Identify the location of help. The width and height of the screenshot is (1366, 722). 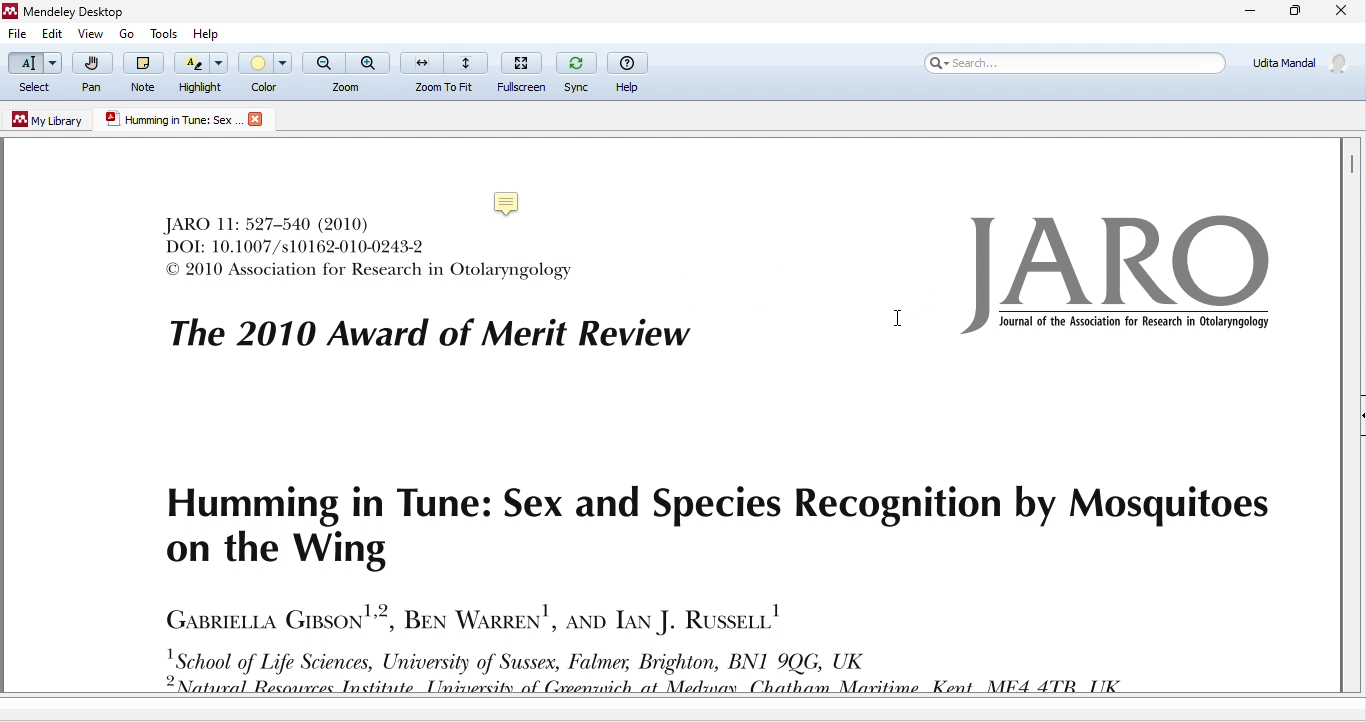
(632, 73).